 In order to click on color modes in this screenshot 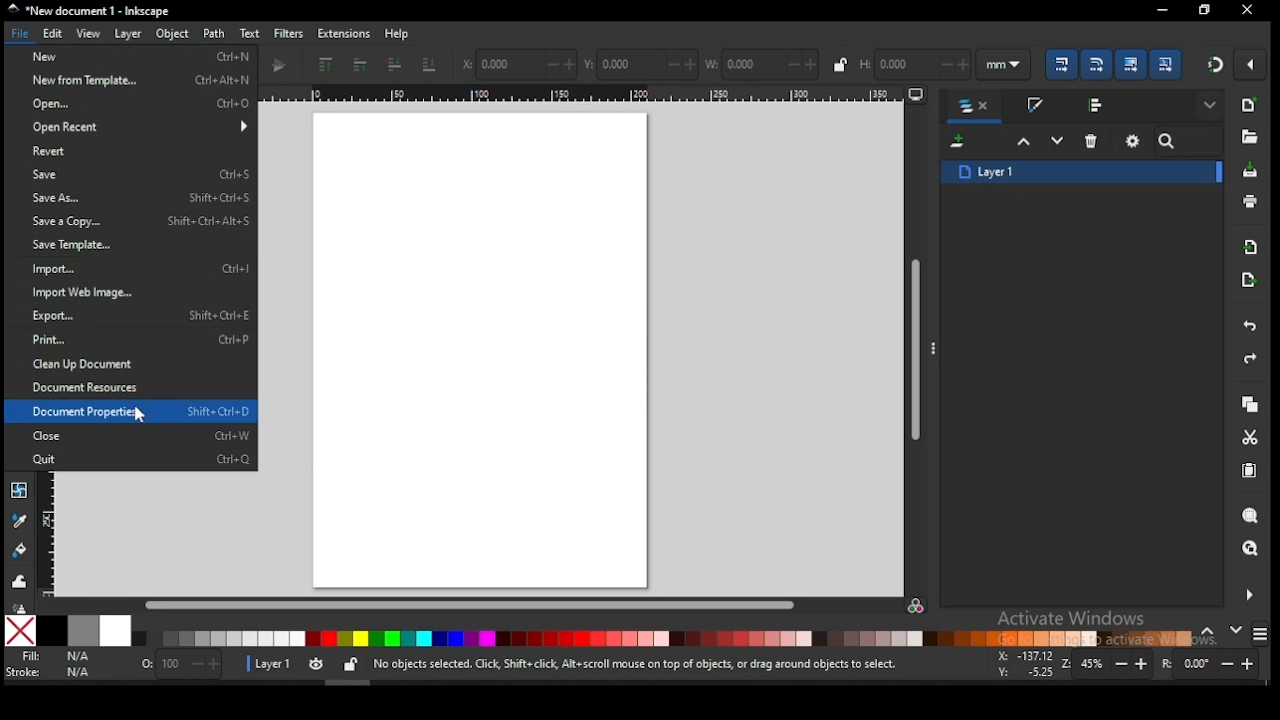, I will do `click(1260, 634)`.